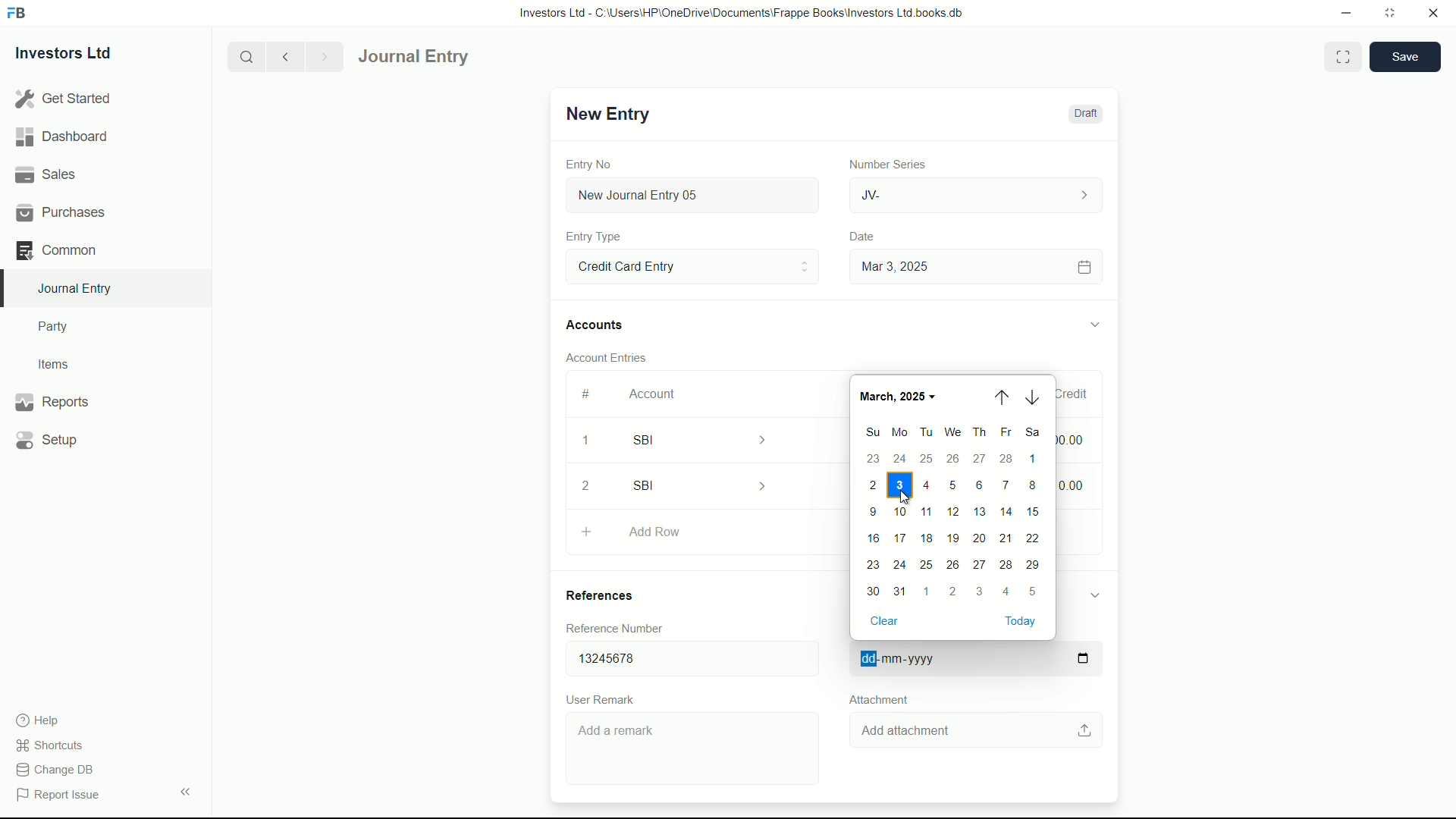 Image resolution: width=1456 pixels, height=819 pixels. Describe the element at coordinates (900, 394) in the screenshot. I see `March, 2025` at that location.